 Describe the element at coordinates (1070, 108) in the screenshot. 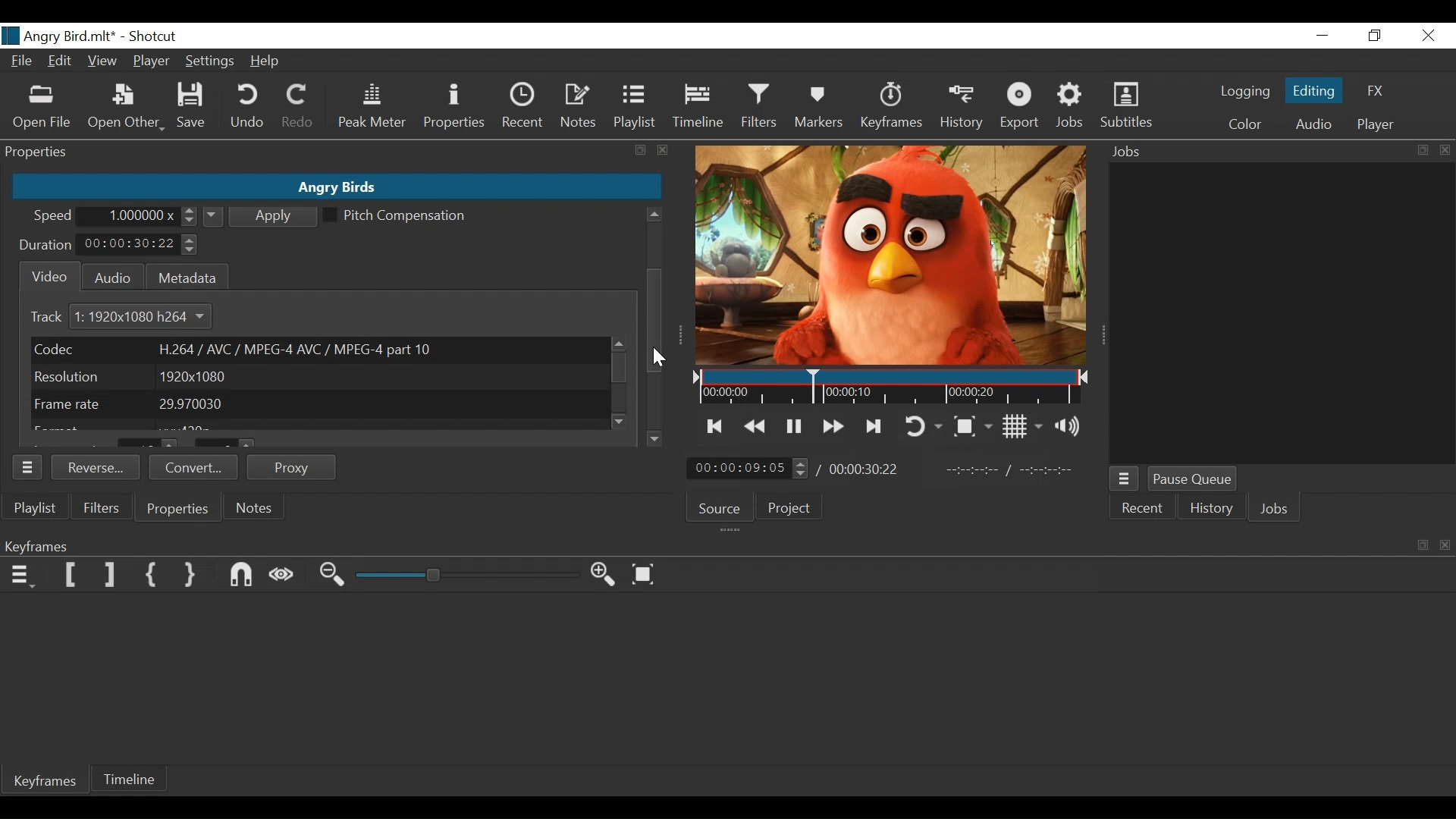

I see `Jobs` at that location.